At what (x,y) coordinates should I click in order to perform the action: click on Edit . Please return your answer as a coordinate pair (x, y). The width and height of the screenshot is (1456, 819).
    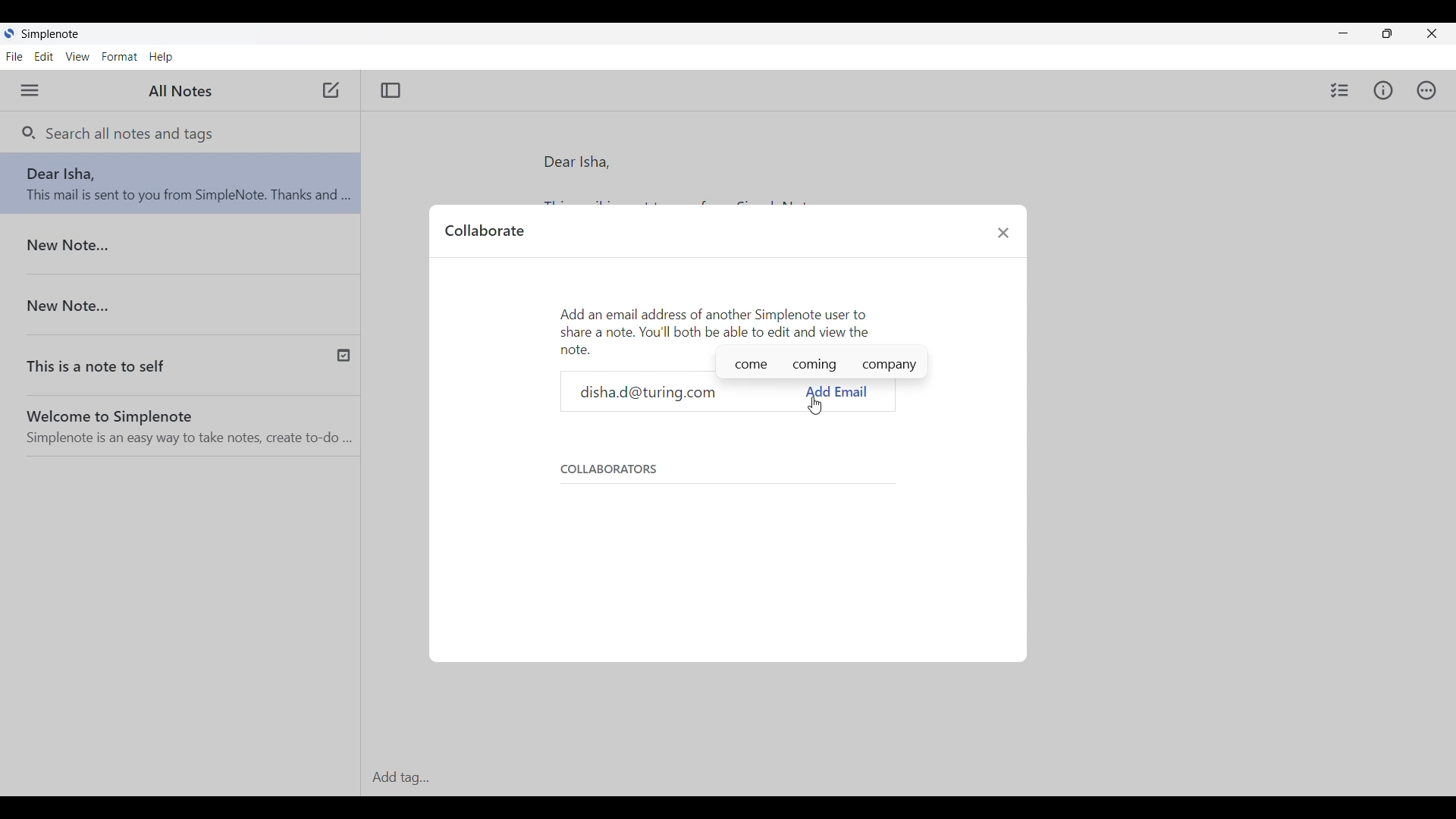
    Looking at the image, I should click on (44, 56).